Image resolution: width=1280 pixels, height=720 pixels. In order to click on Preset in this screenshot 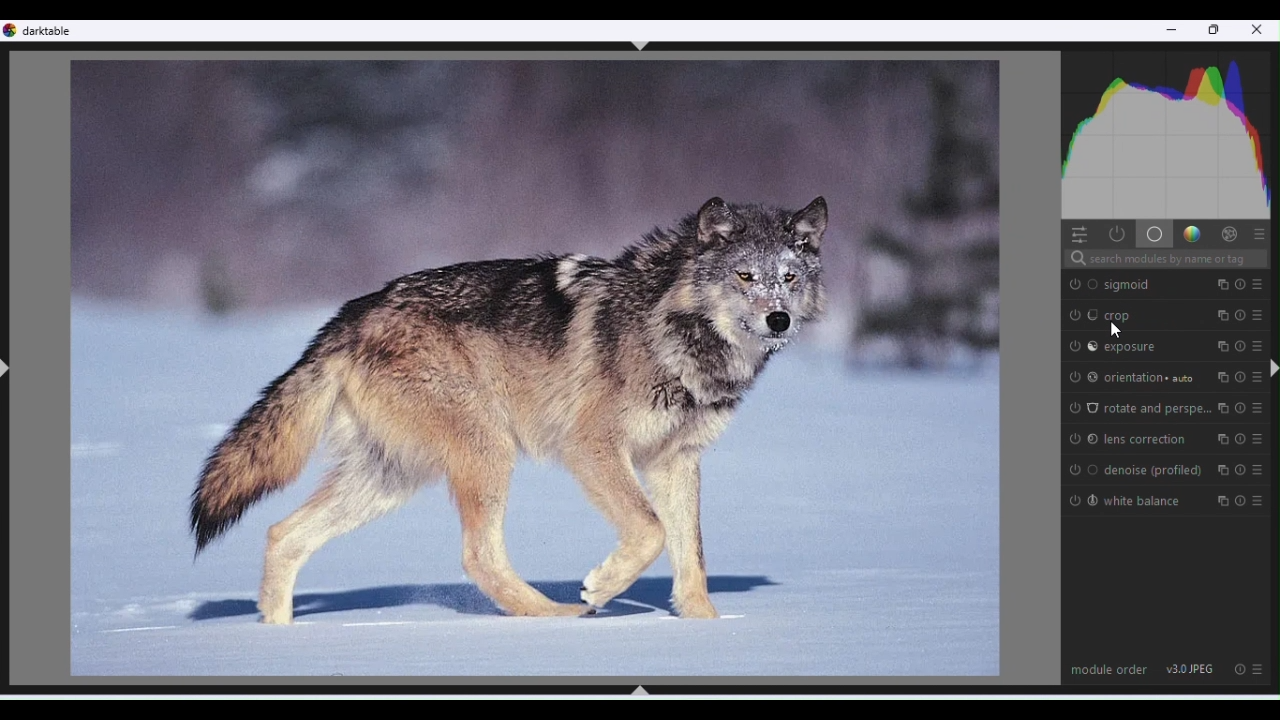, I will do `click(1261, 670)`.